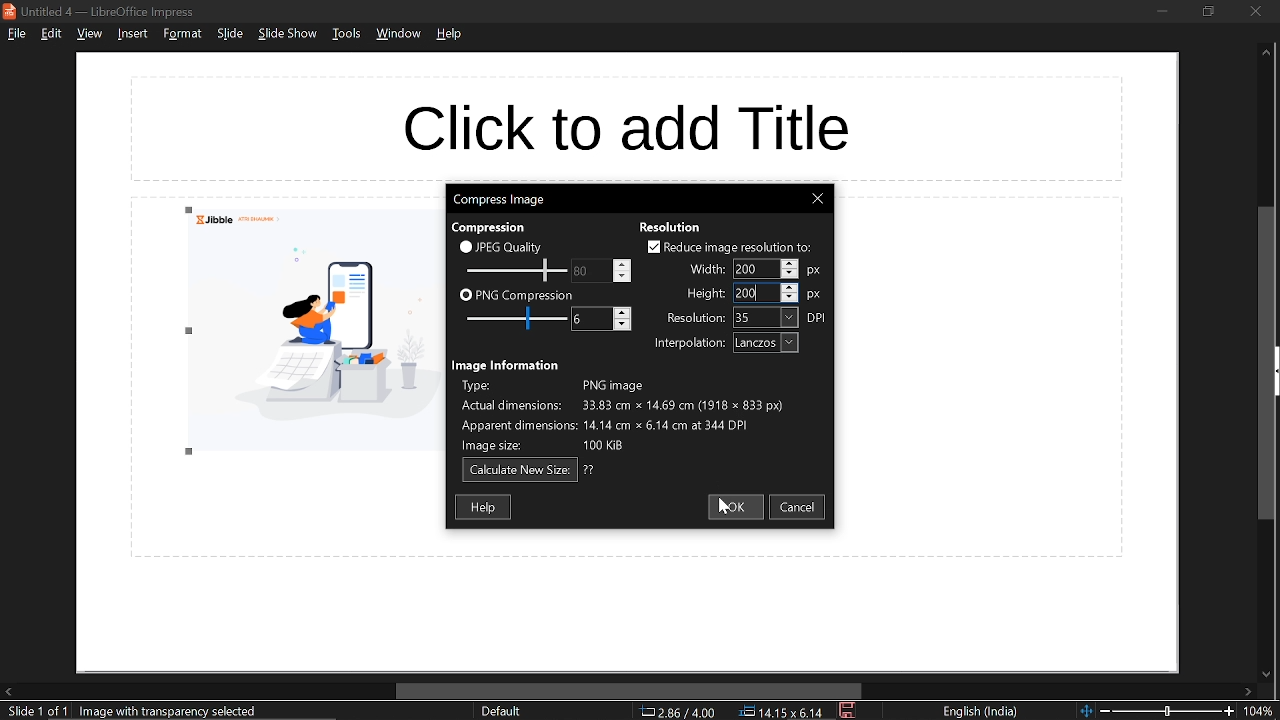 Image resolution: width=1280 pixels, height=720 pixels. What do you see at coordinates (817, 199) in the screenshot?
I see `Close` at bounding box center [817, 199].